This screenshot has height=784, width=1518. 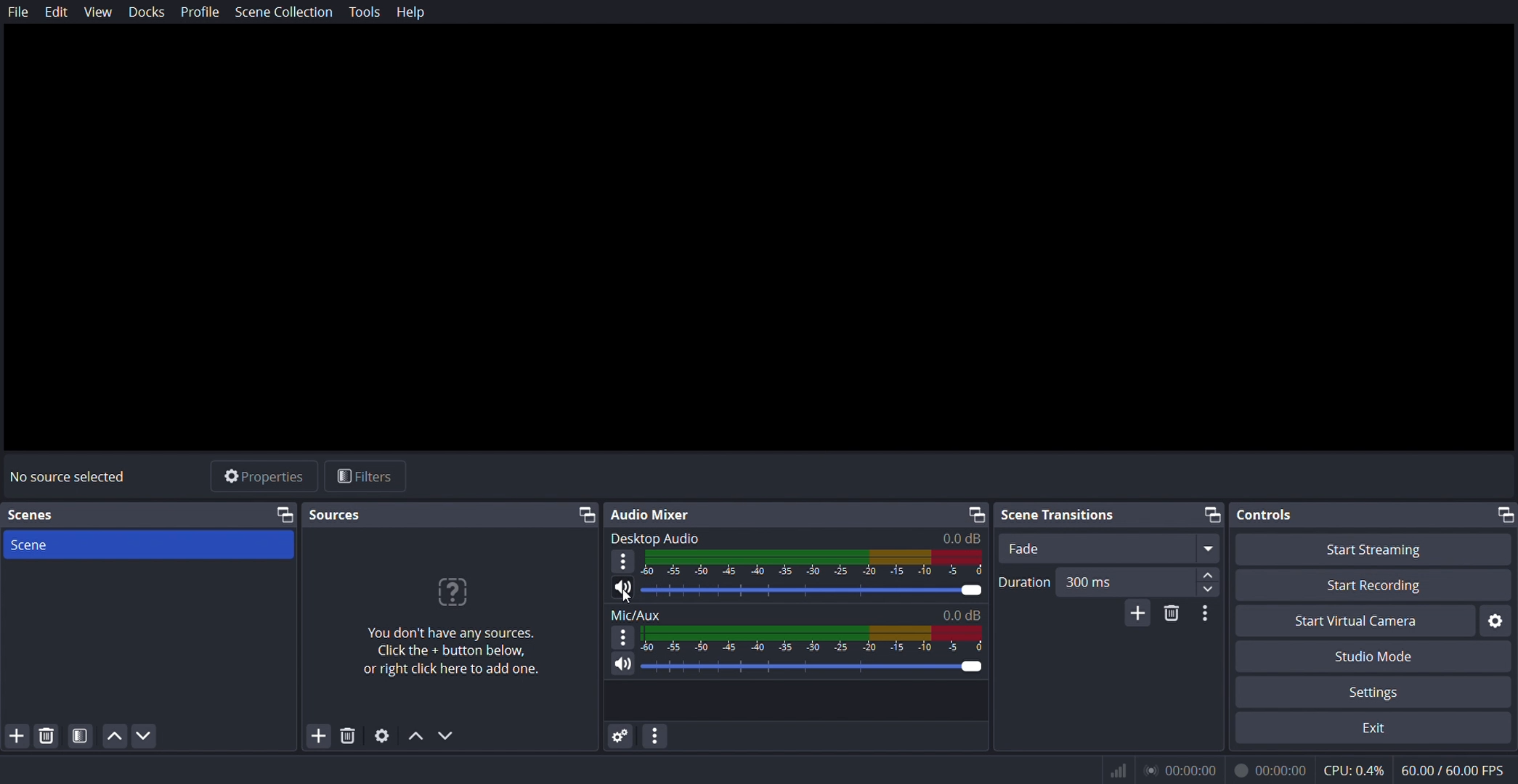 I want to click on restore, so click(x=1215, y=513).